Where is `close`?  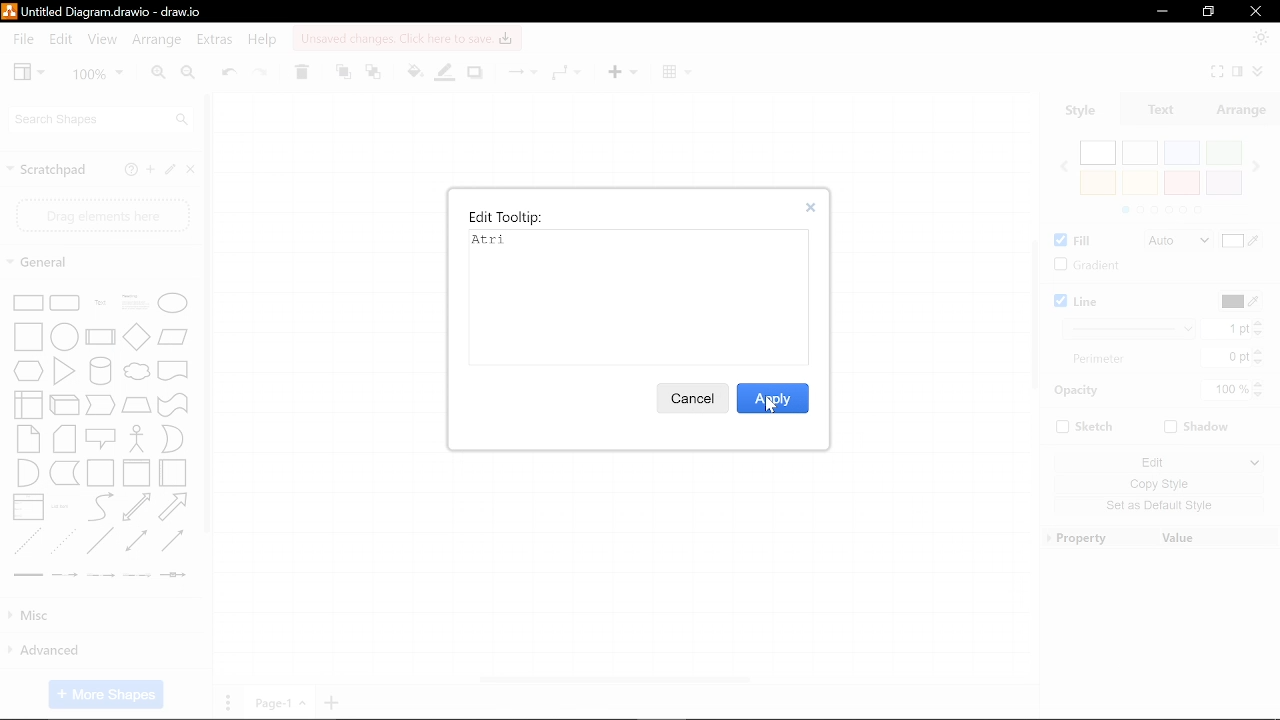
close is located at coordinates (807, 208).